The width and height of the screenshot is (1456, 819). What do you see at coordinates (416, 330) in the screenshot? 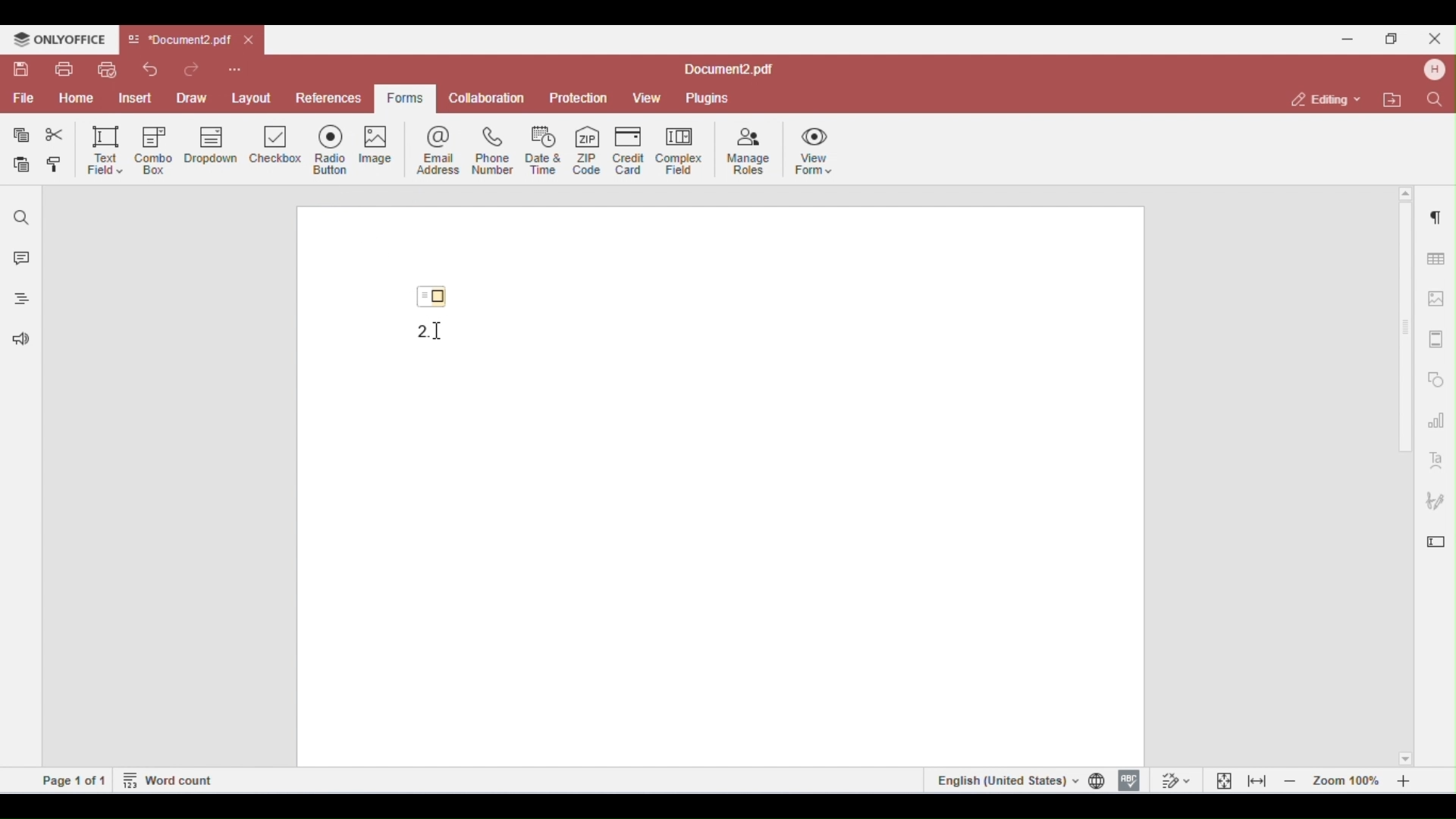
I see `form field` at bounding box center [416, 330].